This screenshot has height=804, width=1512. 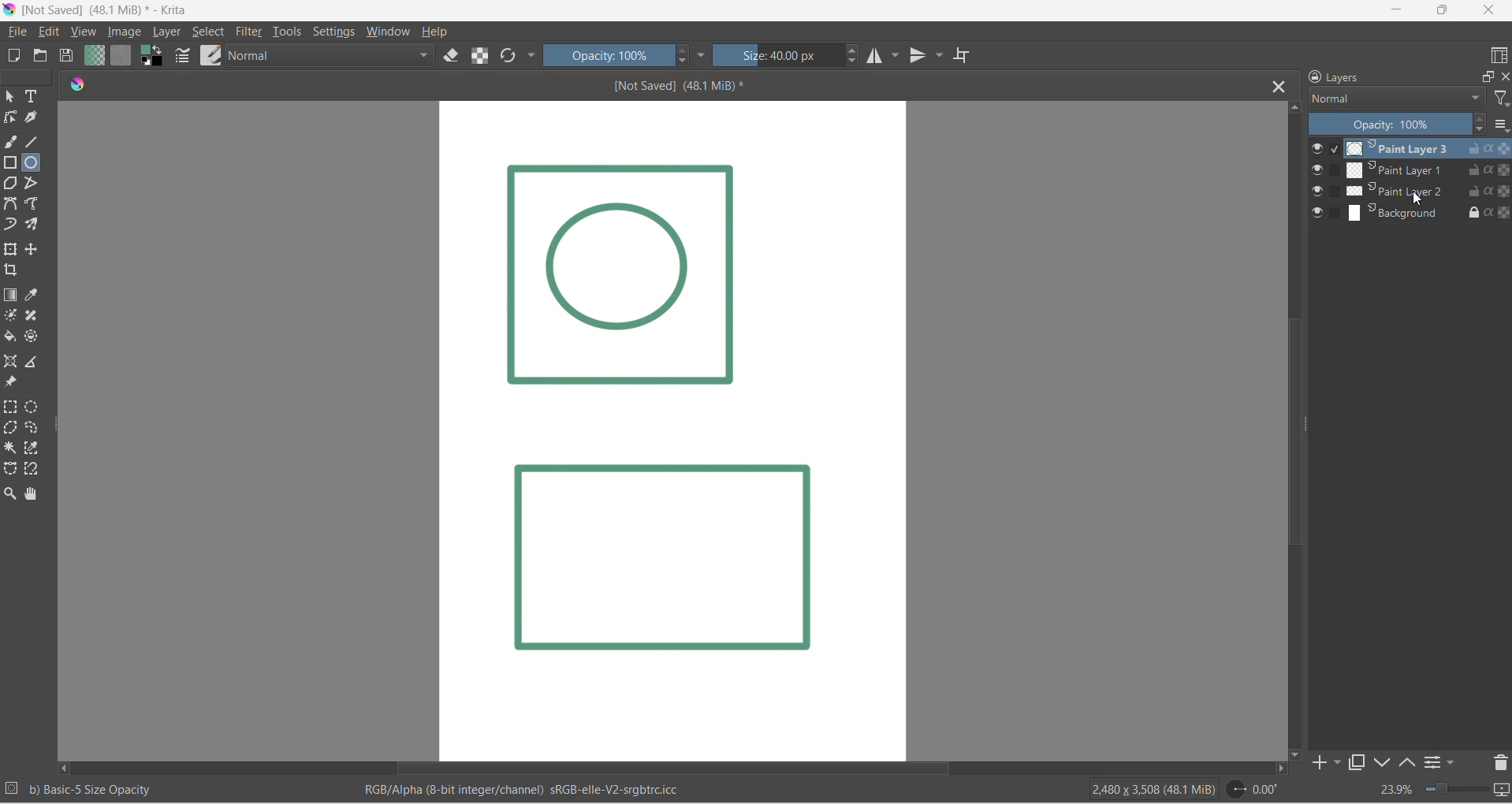 I want to click on RGB/Alpha (8-bit integer/channel) sRGB-elle-V2-srgbtrc.icc, so click(x=539, y=793).